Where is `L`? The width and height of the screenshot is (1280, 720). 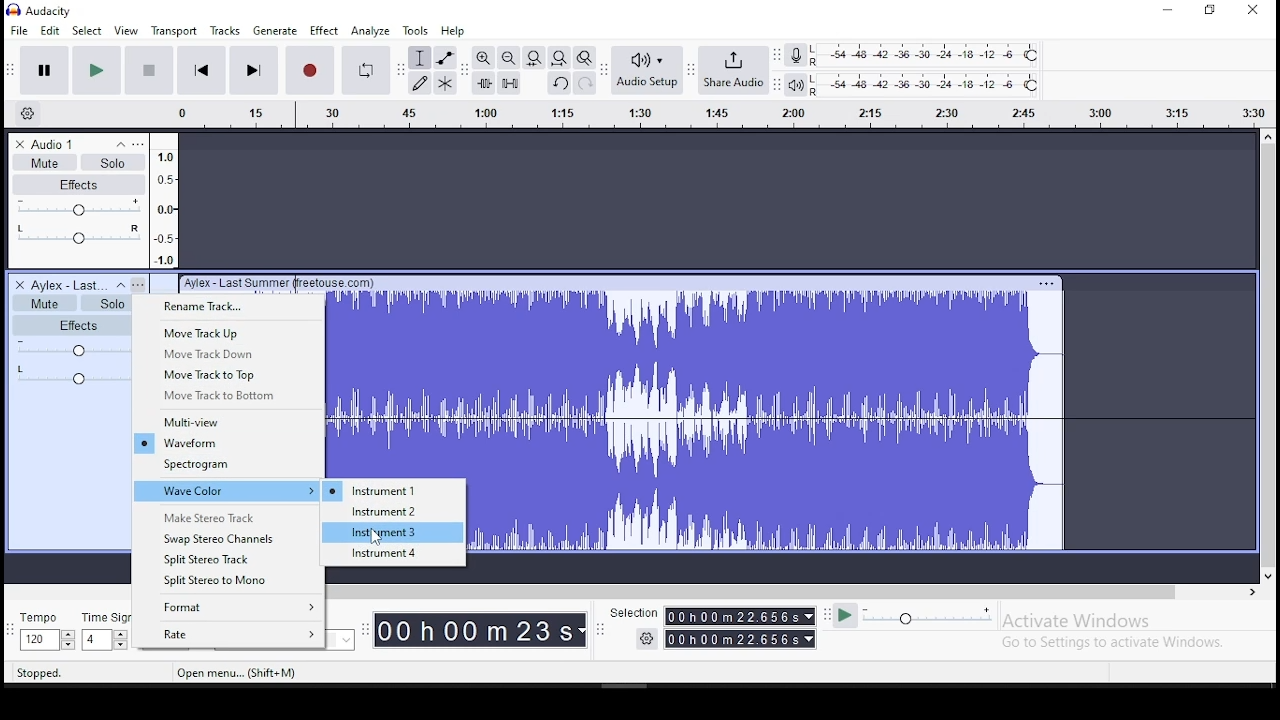
L is located at coordinates (815, 79).